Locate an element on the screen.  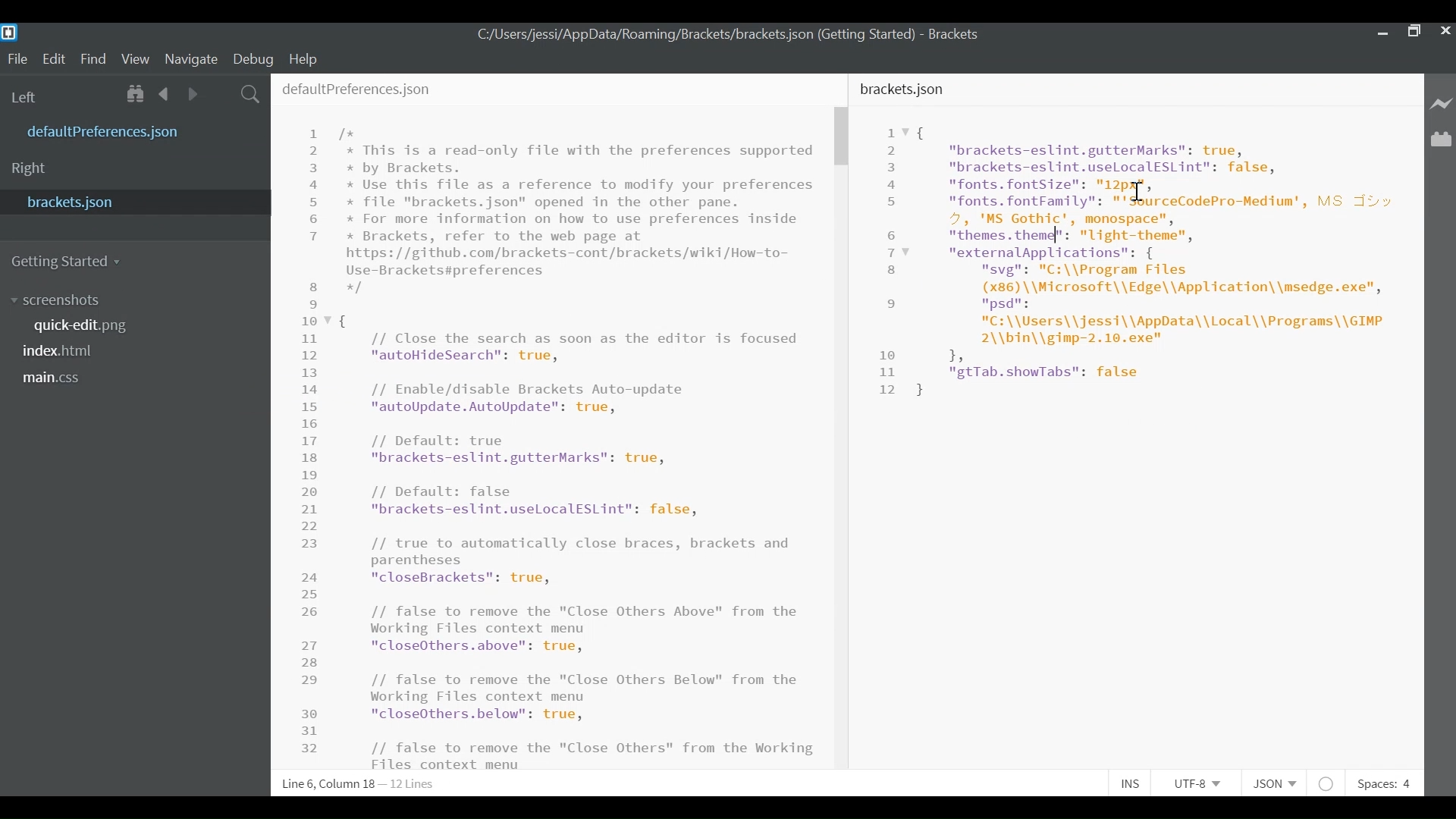
Toggle Insert or Overwrite is located at coordinates (1128, 782).